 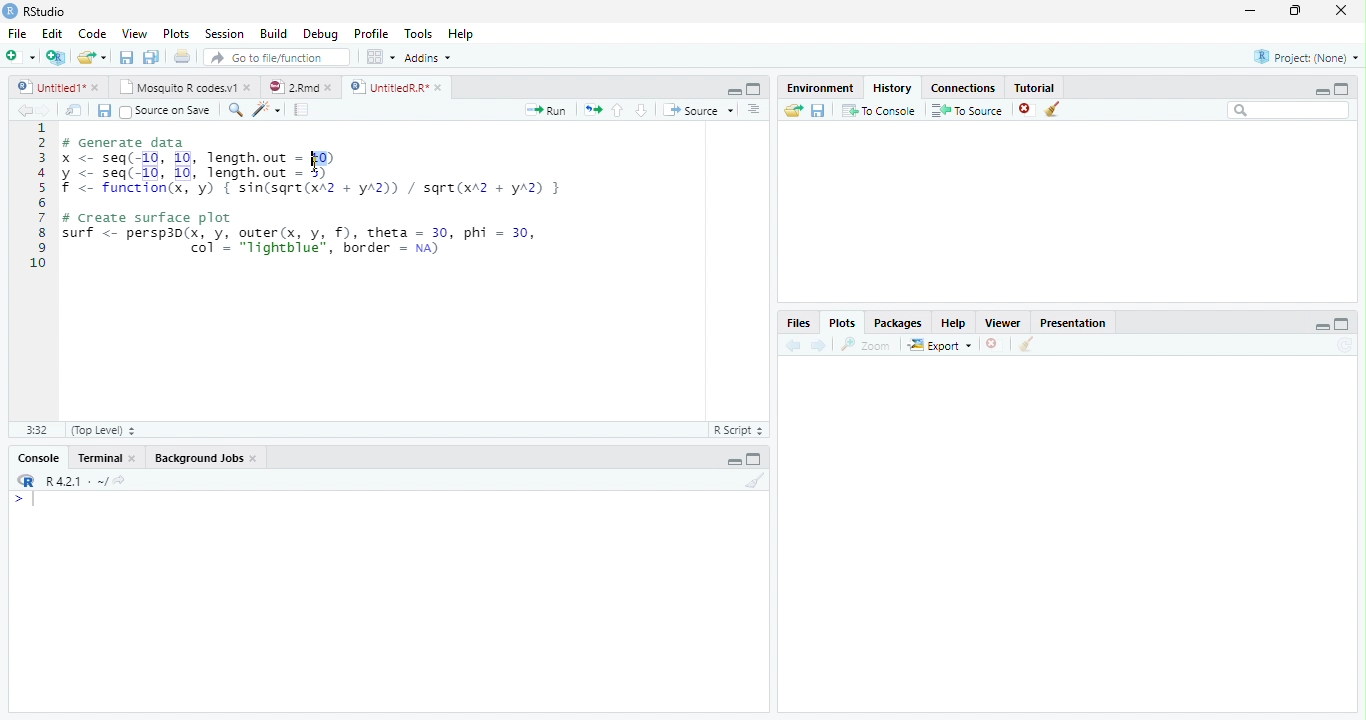 I want to click on Environment, so click(x=820, y=88).